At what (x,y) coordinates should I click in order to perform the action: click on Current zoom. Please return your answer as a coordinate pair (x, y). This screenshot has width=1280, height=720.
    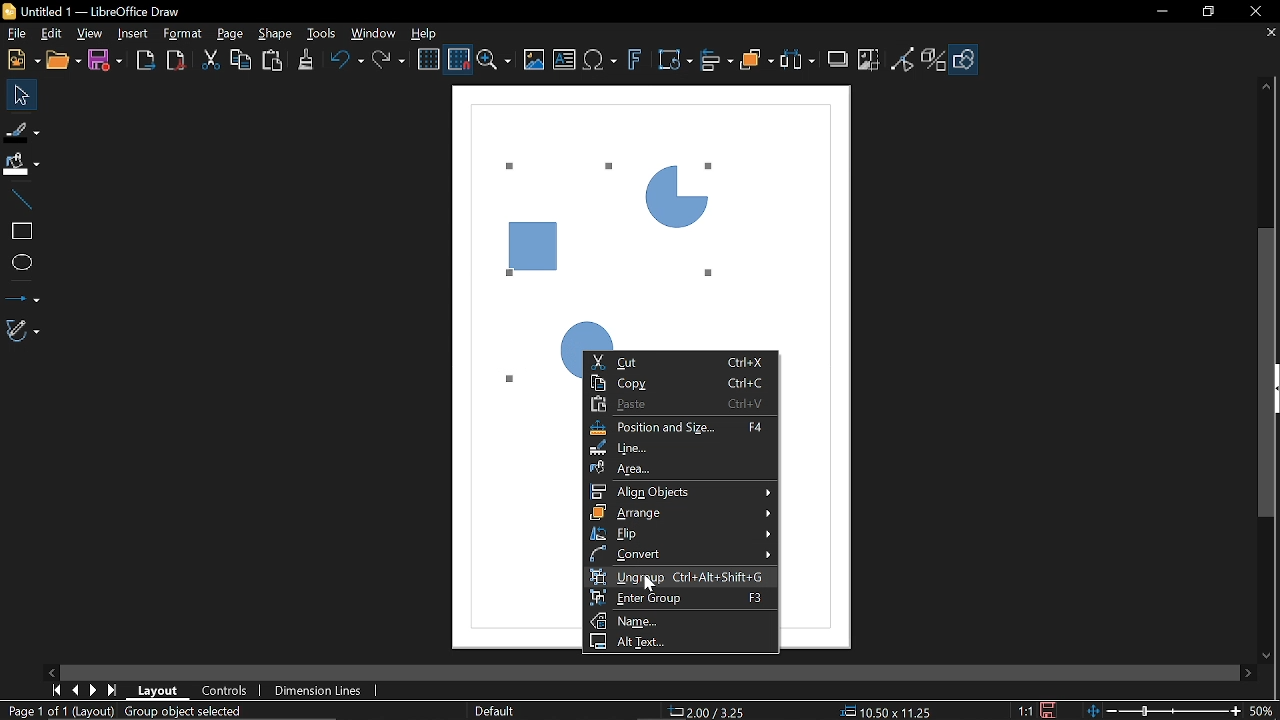
    Looking at the image, I should click on (1264, 710).